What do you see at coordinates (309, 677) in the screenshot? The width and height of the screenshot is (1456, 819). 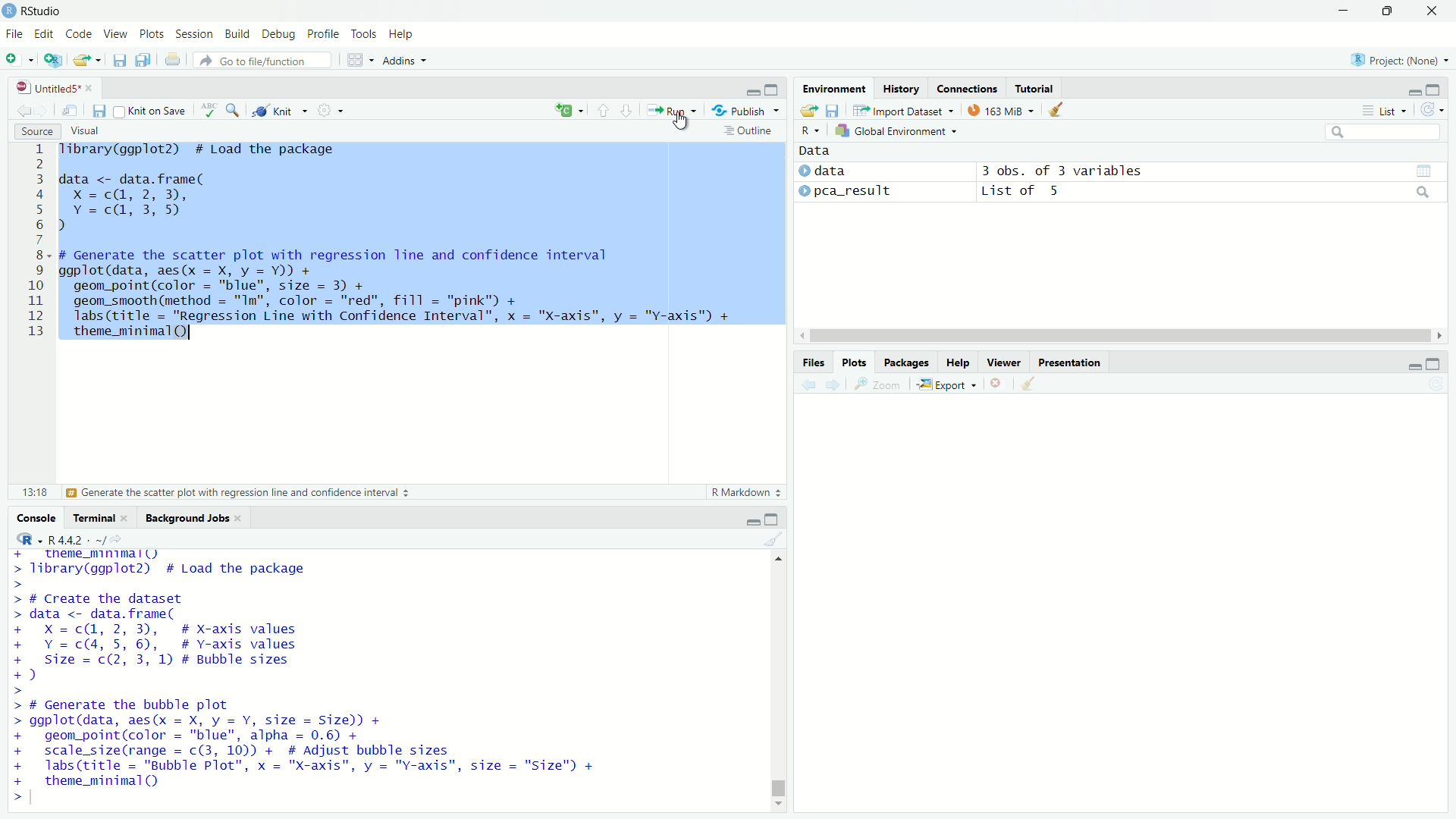 I see `+ _ theme_mnimall)

> library(ggplot2) # Load the package

>

> # Create the dataset

> data <- data.frame(

+ X=c@, 2,3), # X-axis values

+ Y=c(4, 5, 6), # Y-axis values

+ Size = c(2, 3, 1) # Bubble sizes

+)

>

> # Generate the bubble plot

> ggplot(data, aes(x = X, y = Y, size = Size)) +

+ geom_point(color = "blue", alpha = 0.6) +

+ scale_size(range = c(3, 10)) + # Adjust bubble sizes
+ labs(title = "Bubble Plot", x = "X-axis", y = "Y-axis", size = "Size") +
+ theme_minimal()

>` at bounding box center [309, 677].